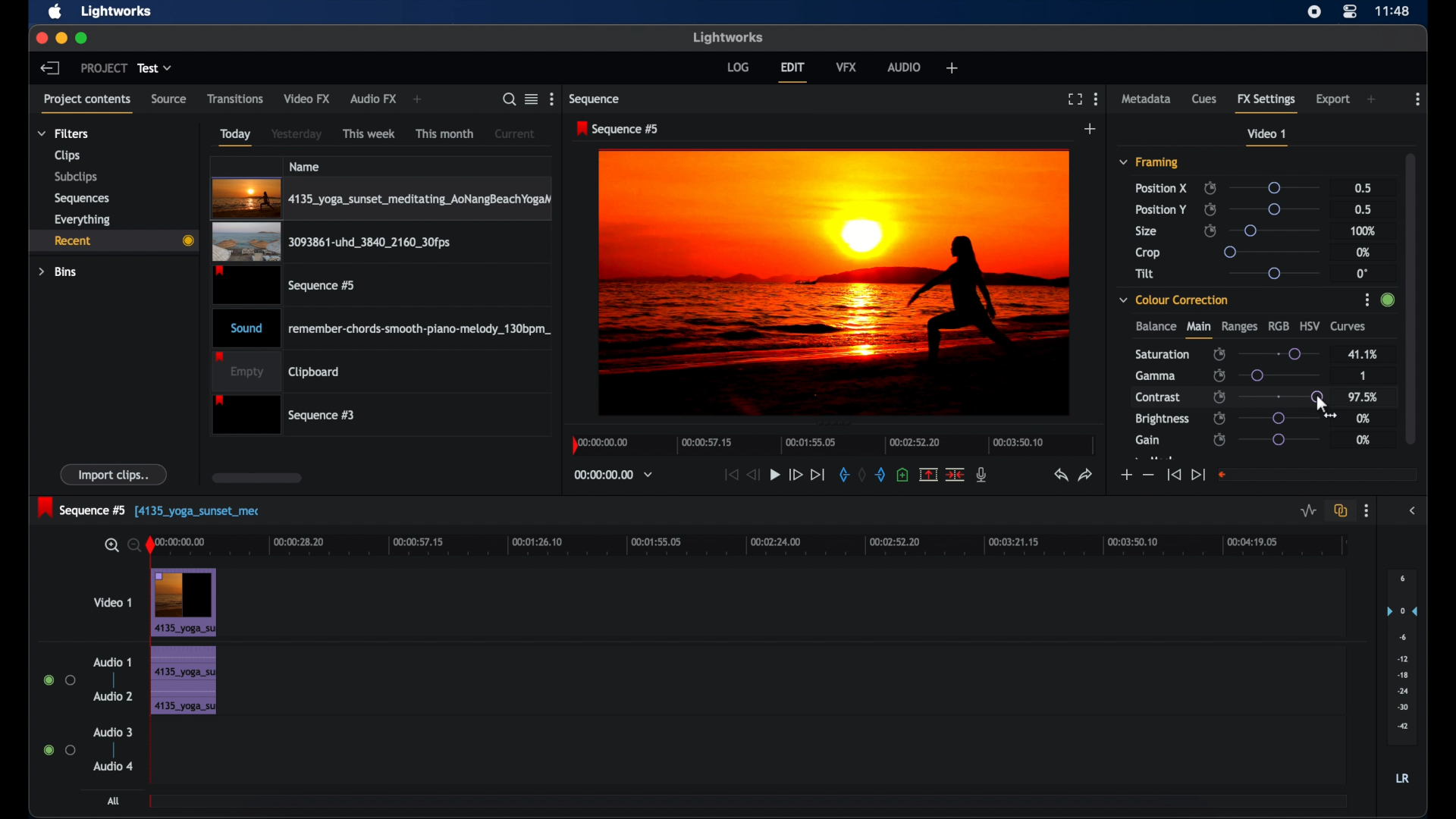 The width and height of the screenshot is (1456, 819). I want to click on this week, so click(370, 133).